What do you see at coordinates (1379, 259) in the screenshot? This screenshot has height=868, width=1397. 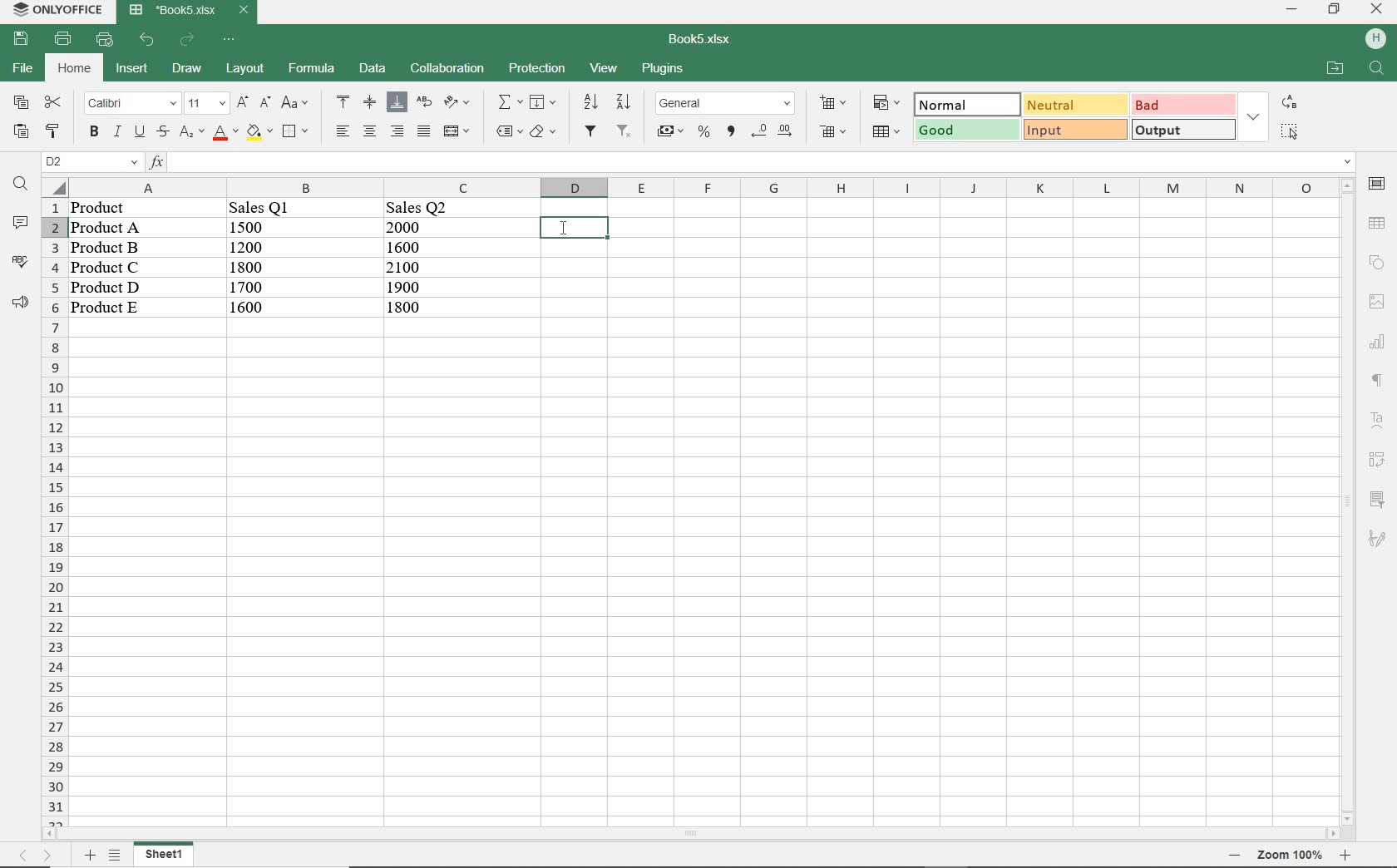 I see `shape` at bounding box center [1379, 259].